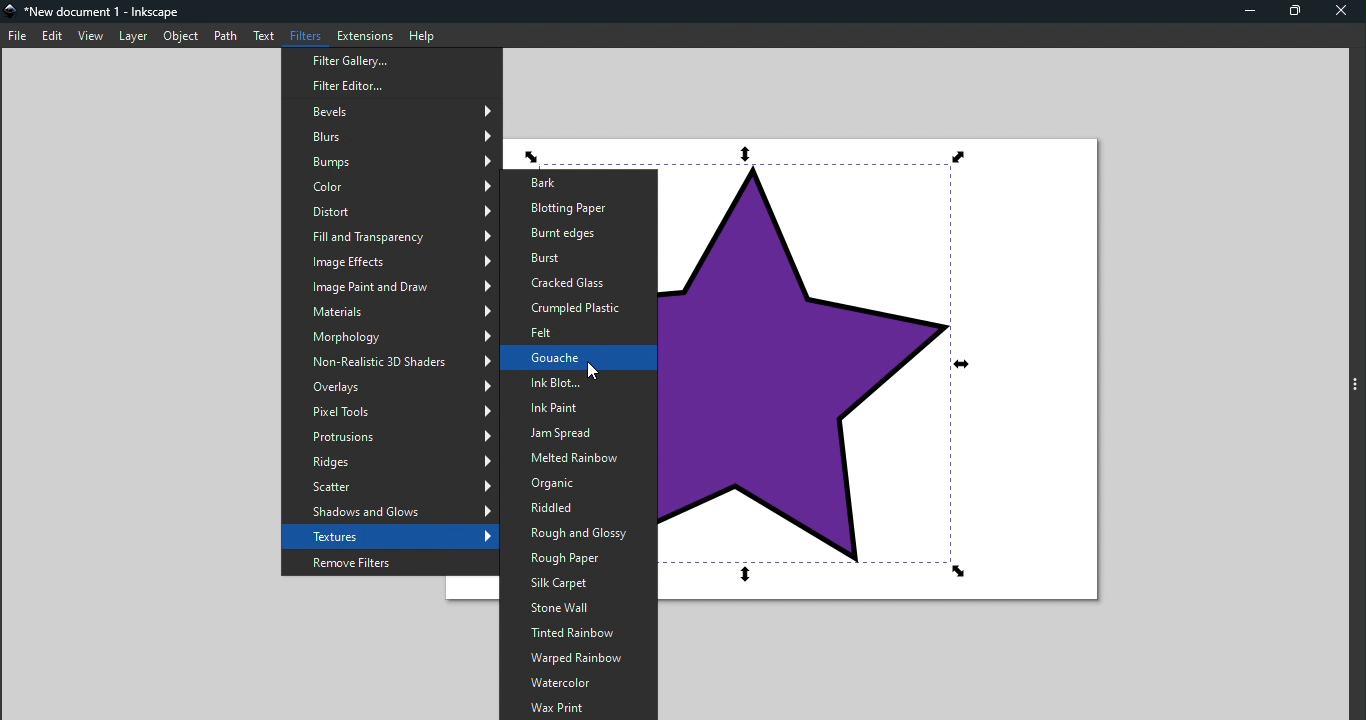 The width and height of the screenshot is (1366, 720). I want to click on Textures, so click(388, 536).